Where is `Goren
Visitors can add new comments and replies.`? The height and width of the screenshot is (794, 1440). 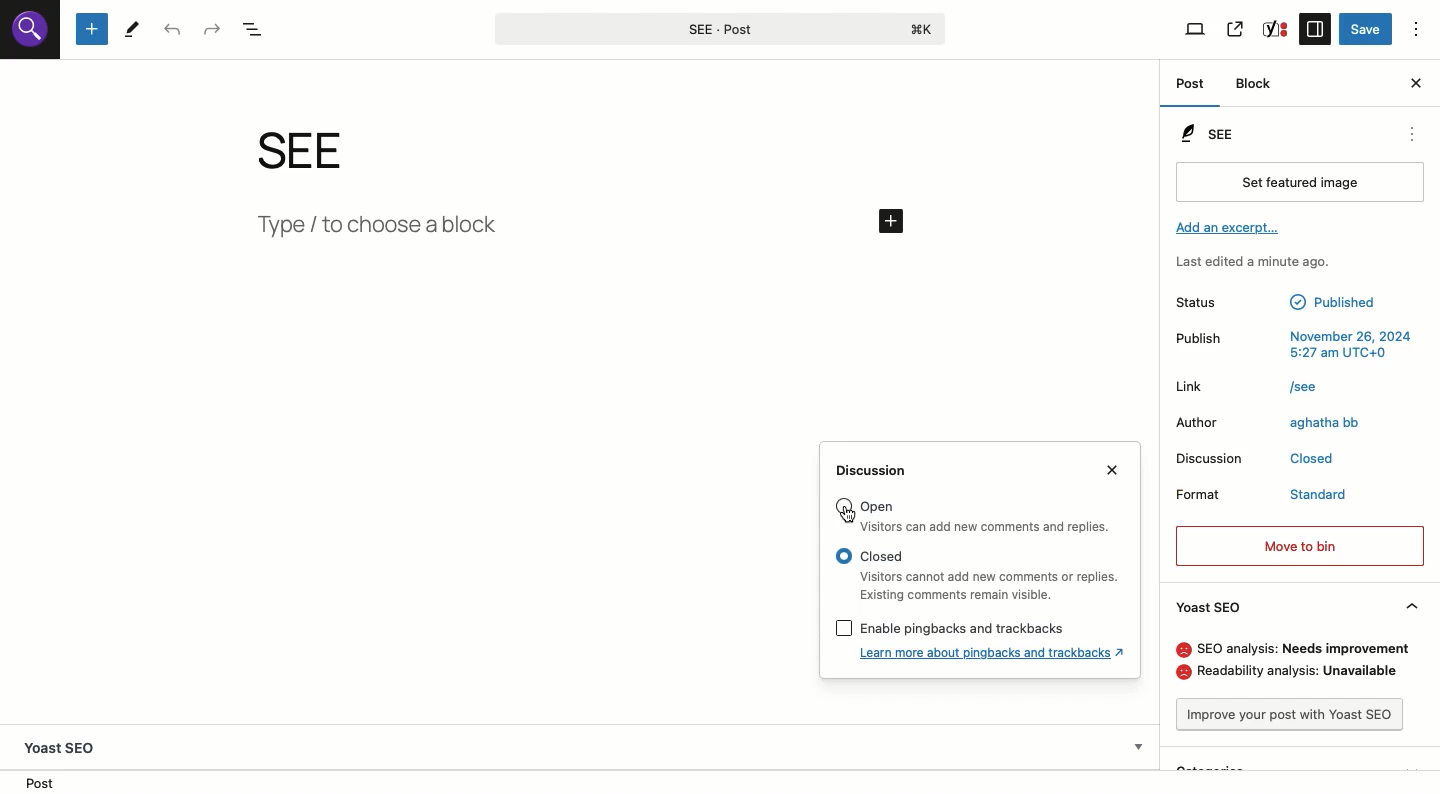
Goren
Visitors can add new comments and replies. is located at coordinates (976, 517).